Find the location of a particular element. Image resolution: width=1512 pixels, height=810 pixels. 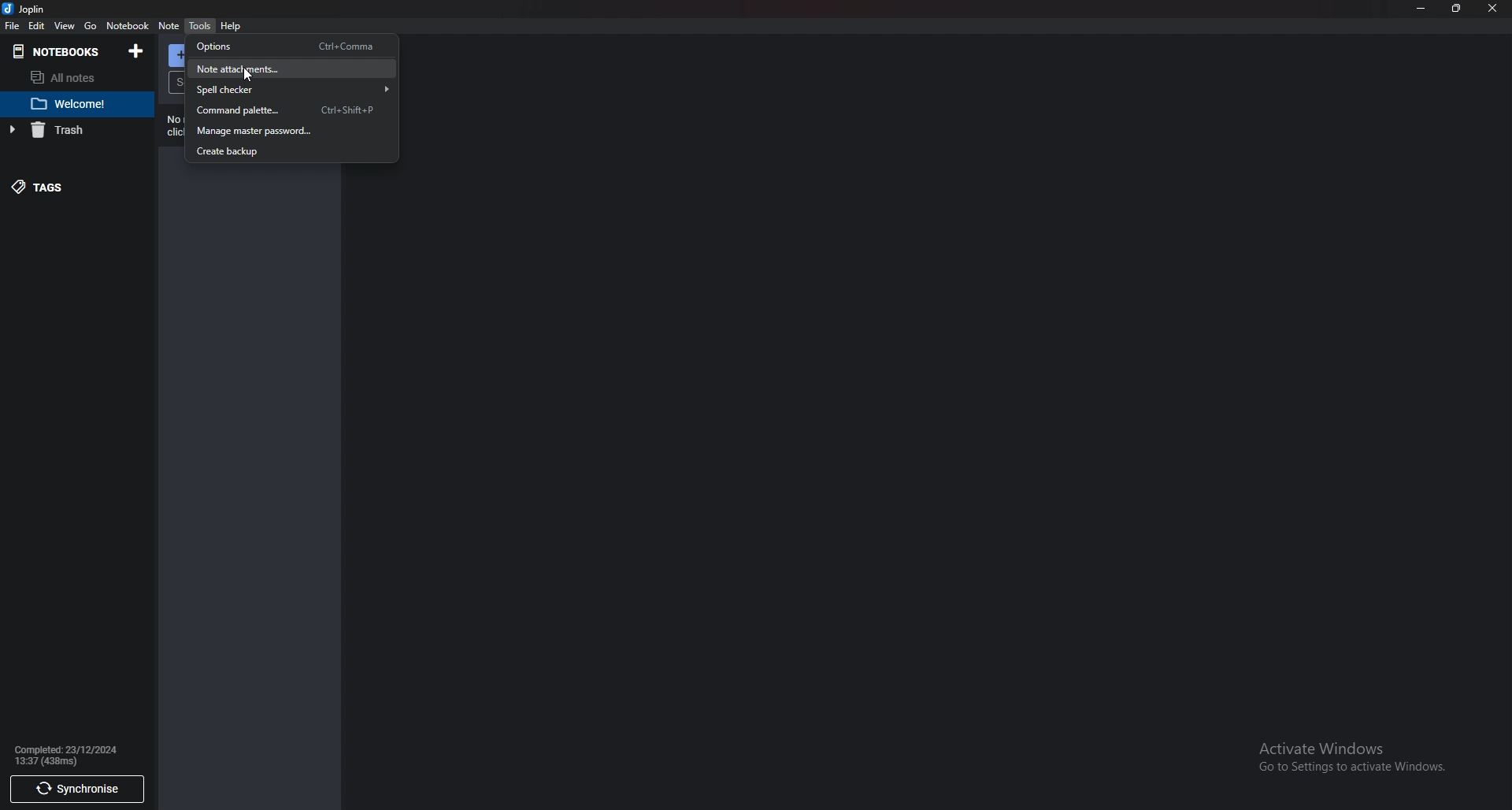

help is located at coordinates (230, 27).